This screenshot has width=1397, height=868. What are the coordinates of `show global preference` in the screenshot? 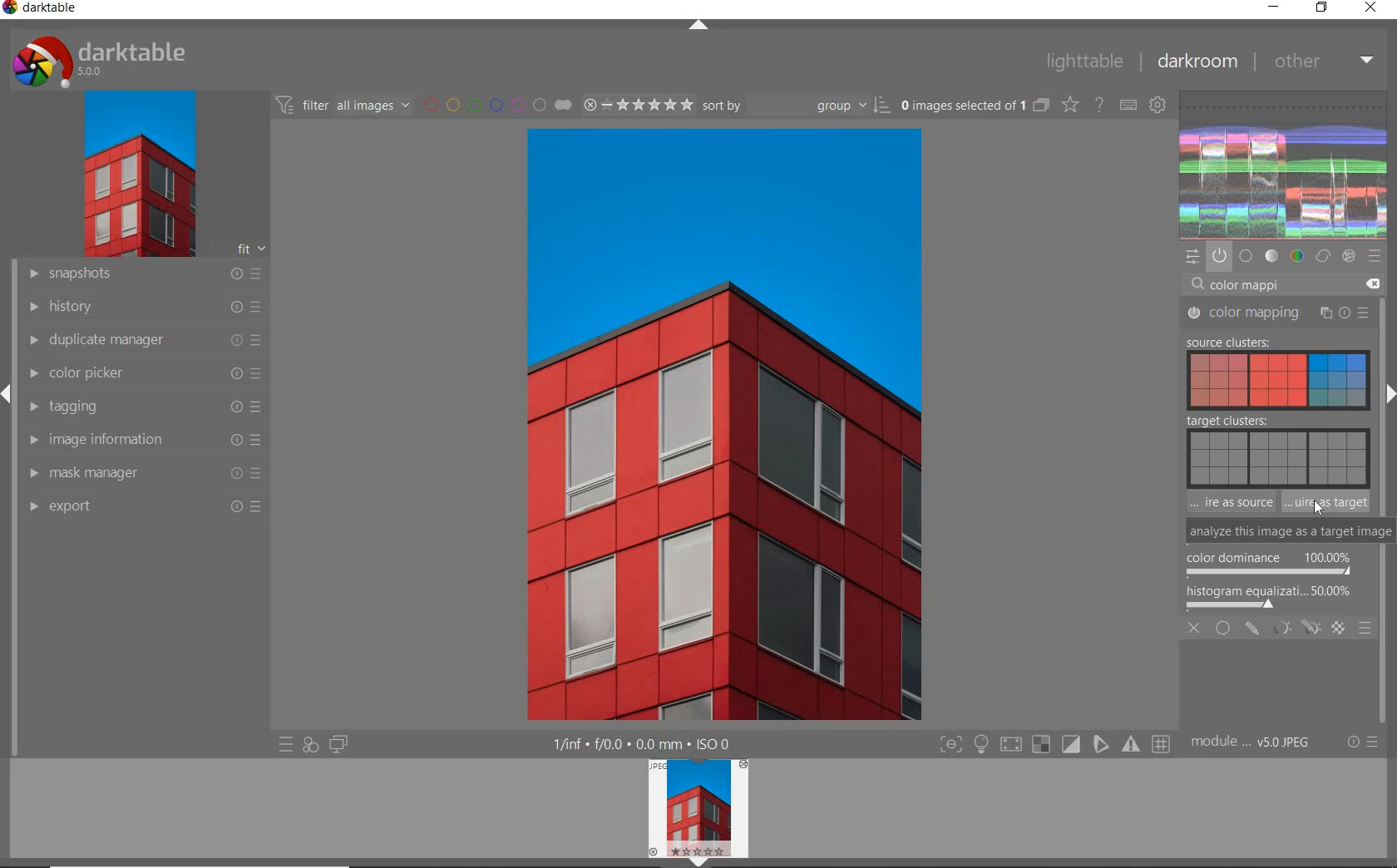 It's located at (1158, 106).